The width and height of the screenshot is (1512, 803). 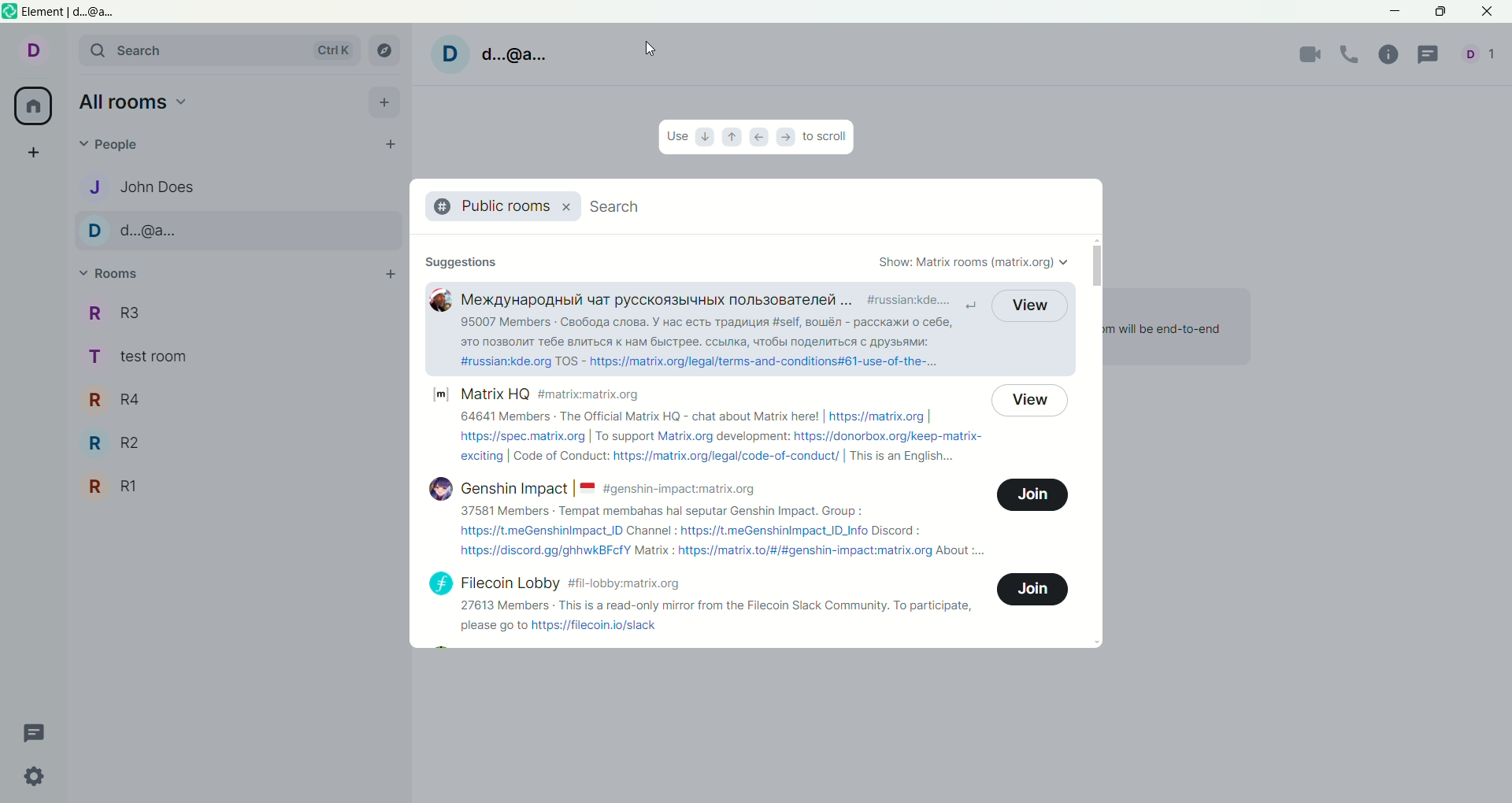 What do you see at coordinates (1434, 54) in the screenshot?
I see `thread` at bounding box center [1434, 54].